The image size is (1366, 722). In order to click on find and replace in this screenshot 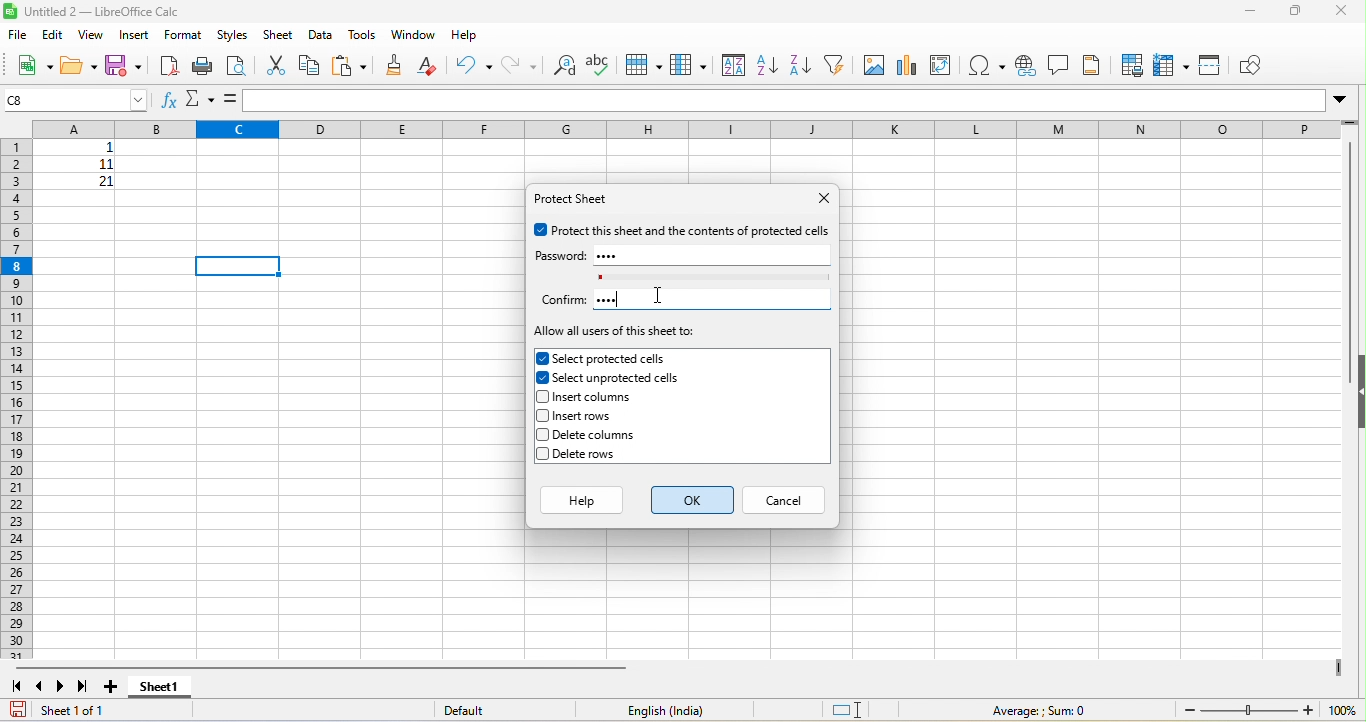, I will do `click(561, 65)`.